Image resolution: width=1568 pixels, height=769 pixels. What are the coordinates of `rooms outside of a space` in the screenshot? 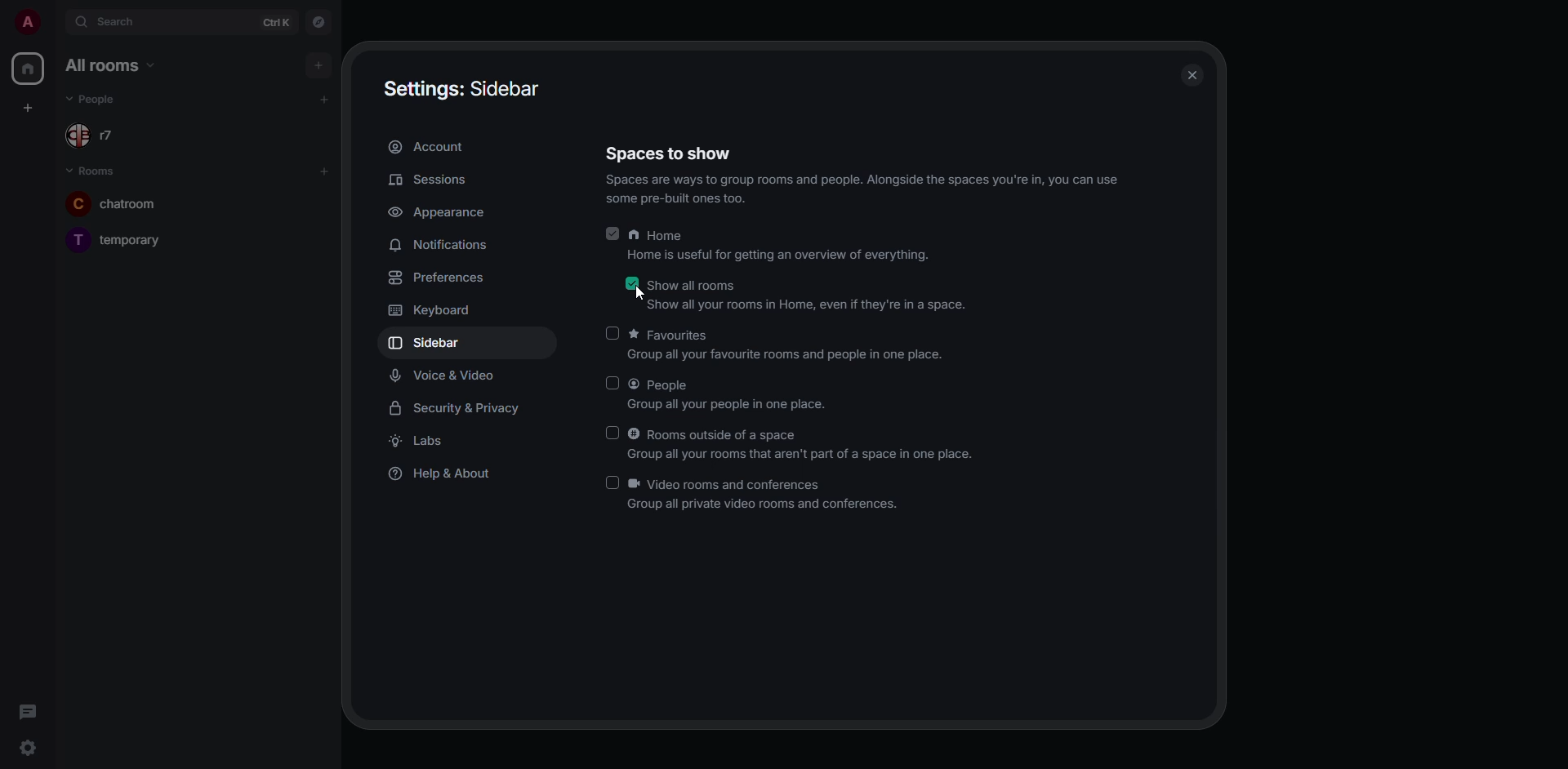 It's located at (802, 445).